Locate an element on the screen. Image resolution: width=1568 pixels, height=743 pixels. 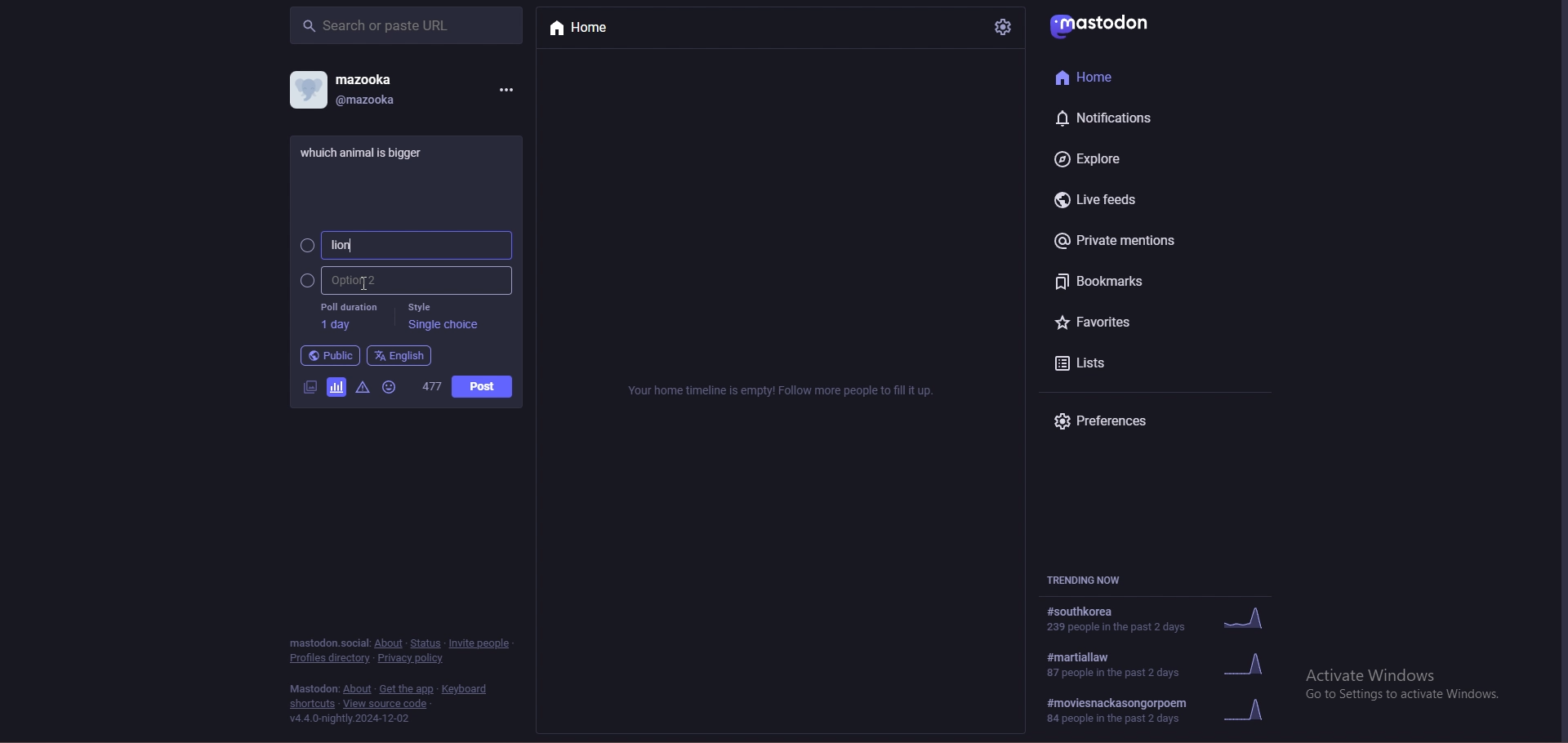
polls is located at coordinates (335, 389).